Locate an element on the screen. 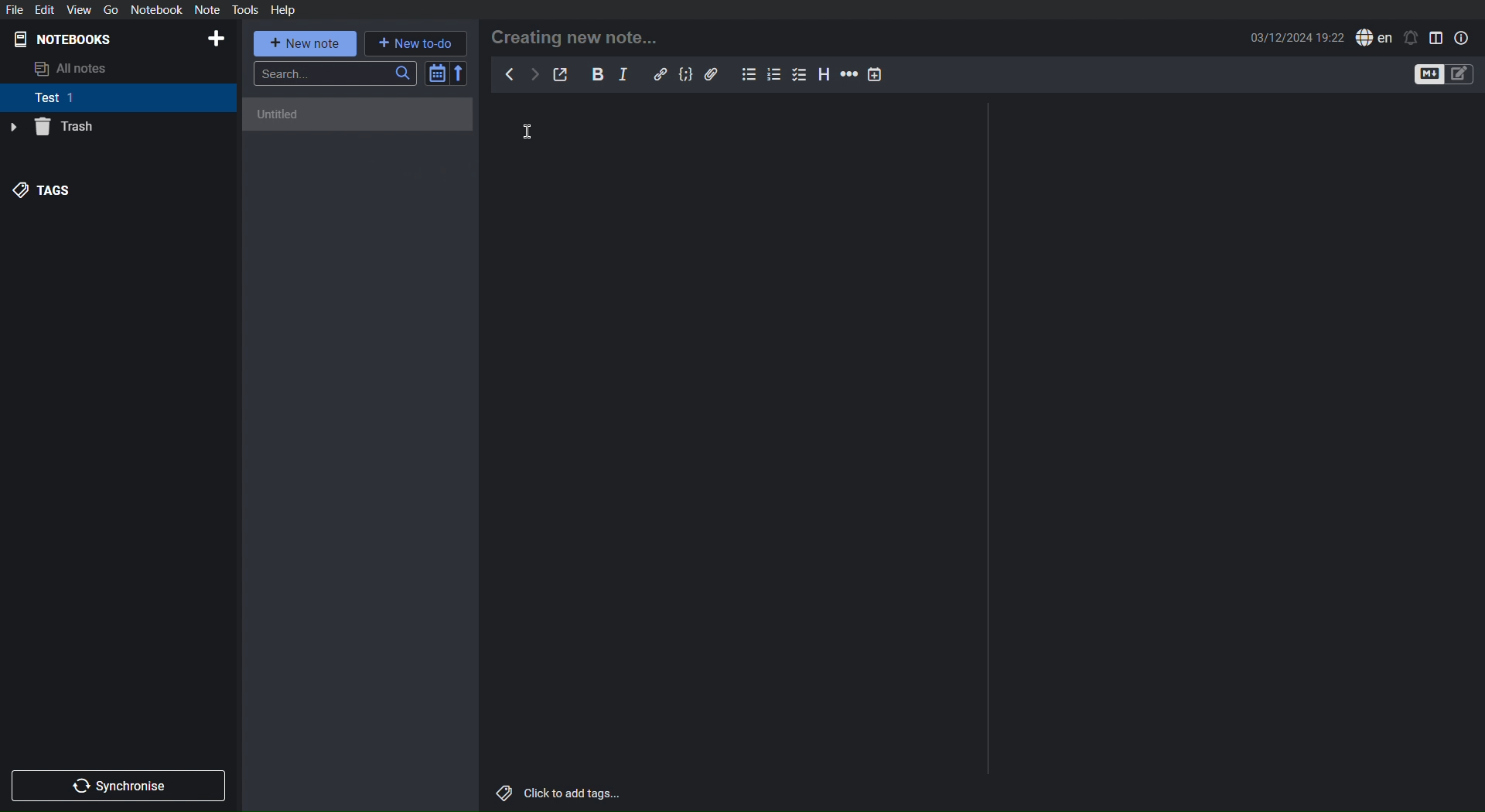  Note is located at coordinates (207, 10).